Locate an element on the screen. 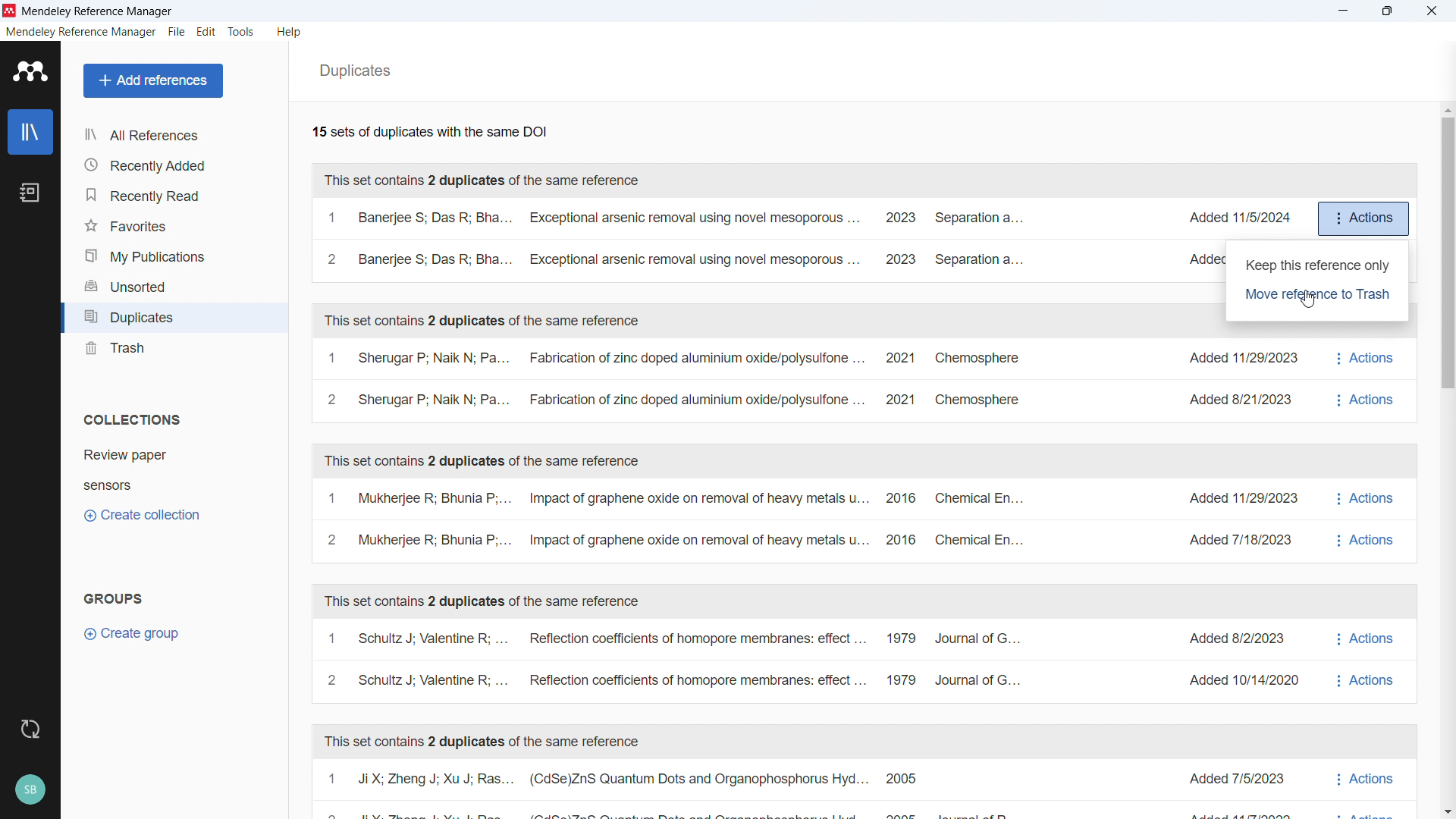  Added 11/29/2023 is located at coordinates (1238, 499).